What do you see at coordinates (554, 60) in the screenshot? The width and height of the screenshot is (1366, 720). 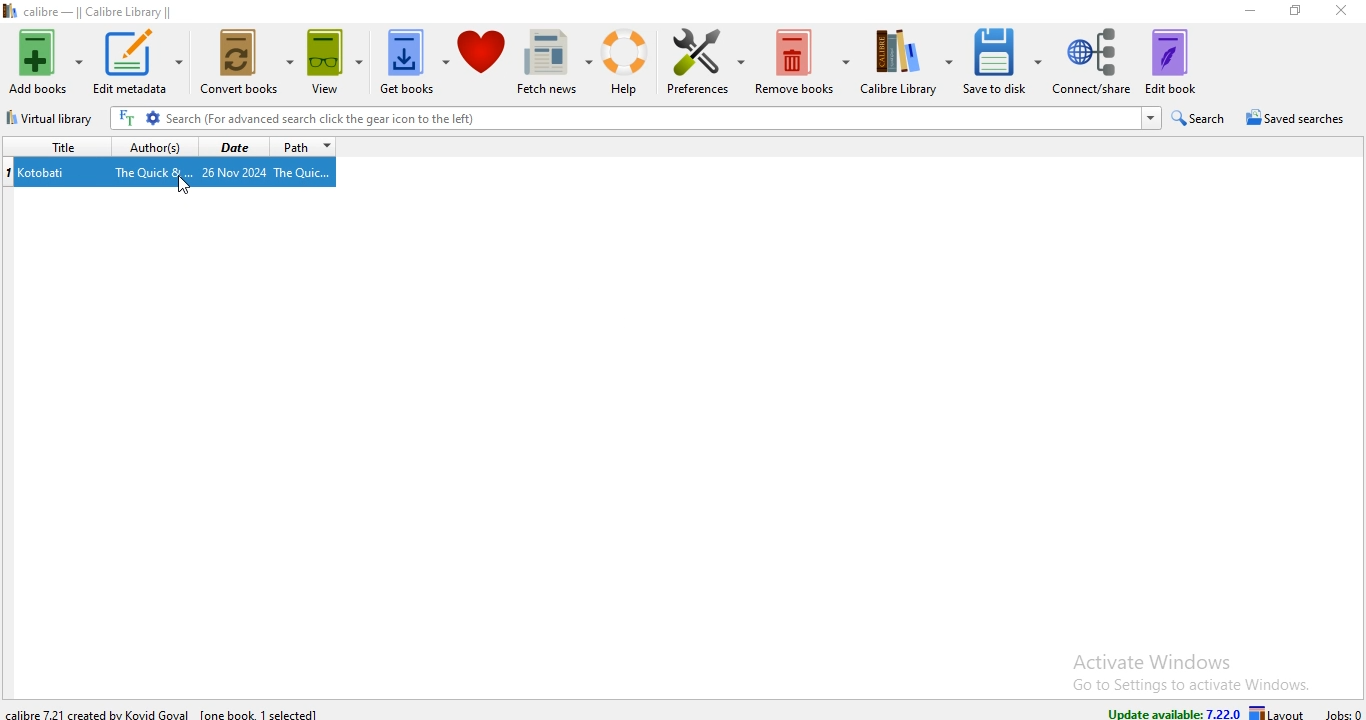 I see `fetch news` at bounding box center [554, 60].